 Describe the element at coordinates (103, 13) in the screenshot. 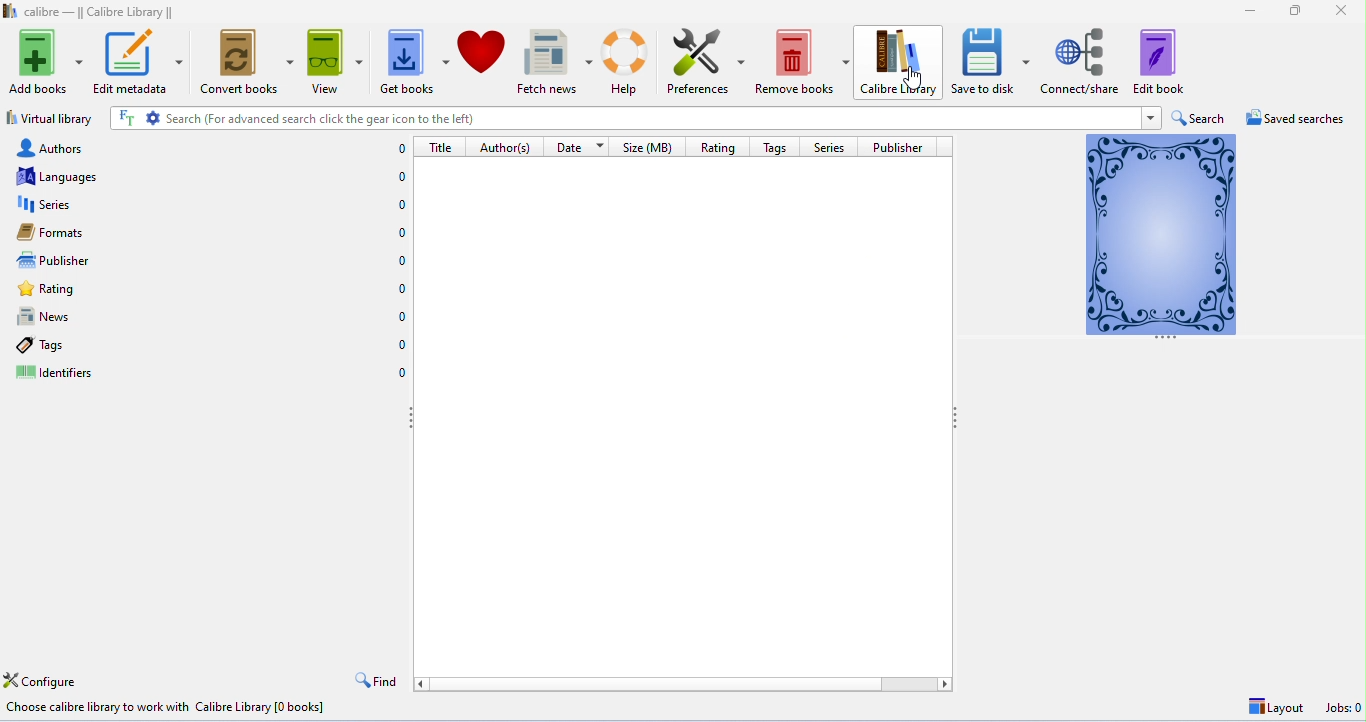

I see `calibre — || Calibre Library ||` at that location.